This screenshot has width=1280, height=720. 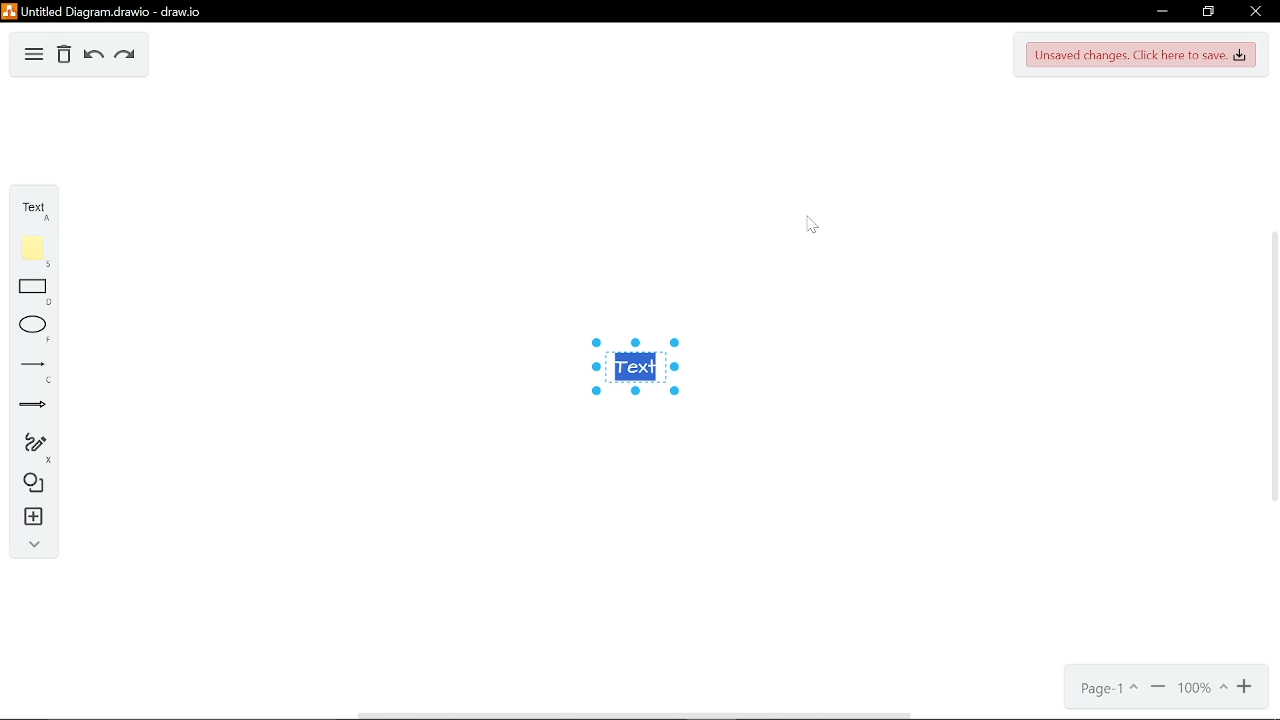 I want to click on Close, so click(x=1254, y=12).